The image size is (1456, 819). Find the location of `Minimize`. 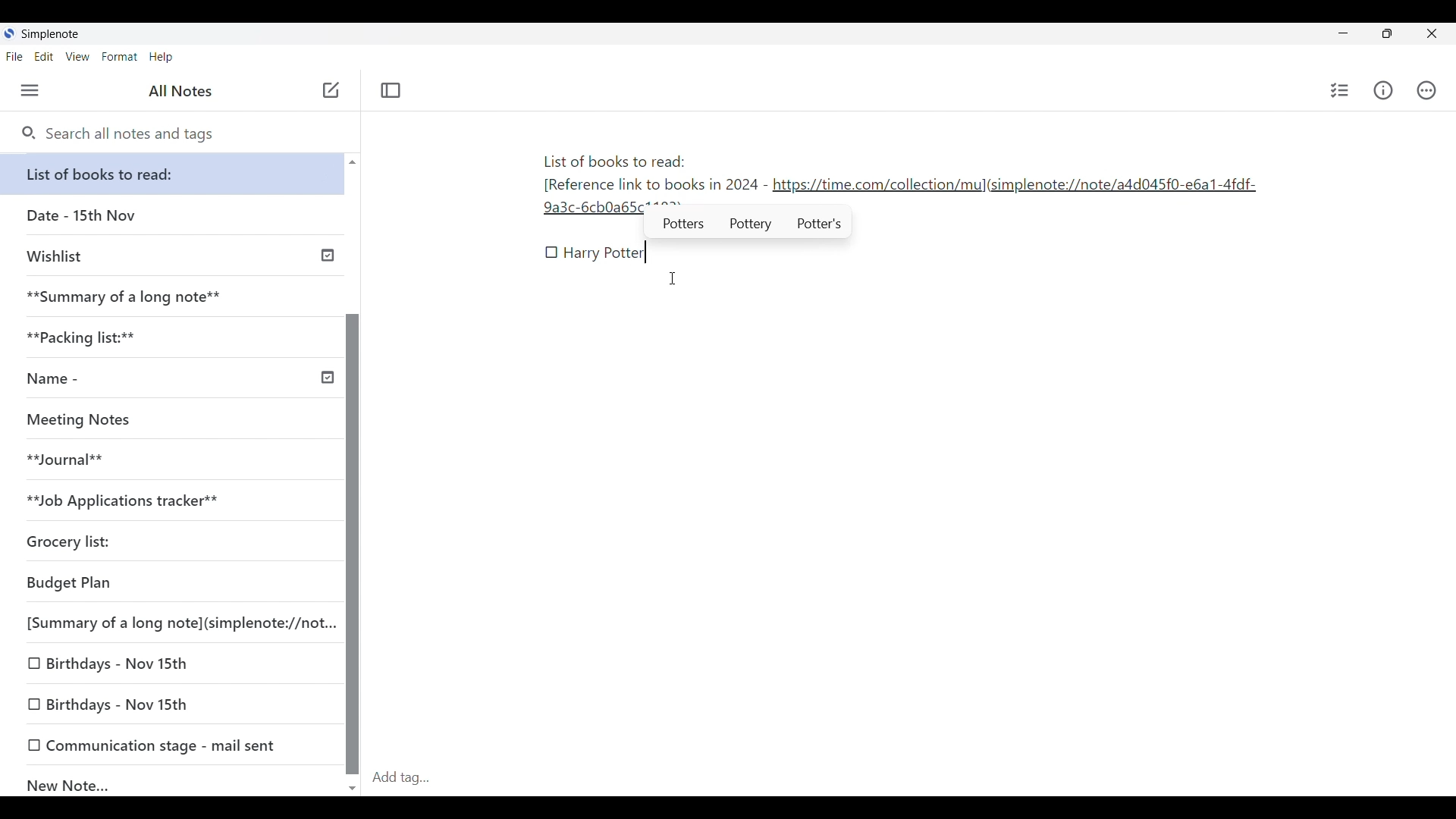

Minimize is located at coordinates (1340, 32).